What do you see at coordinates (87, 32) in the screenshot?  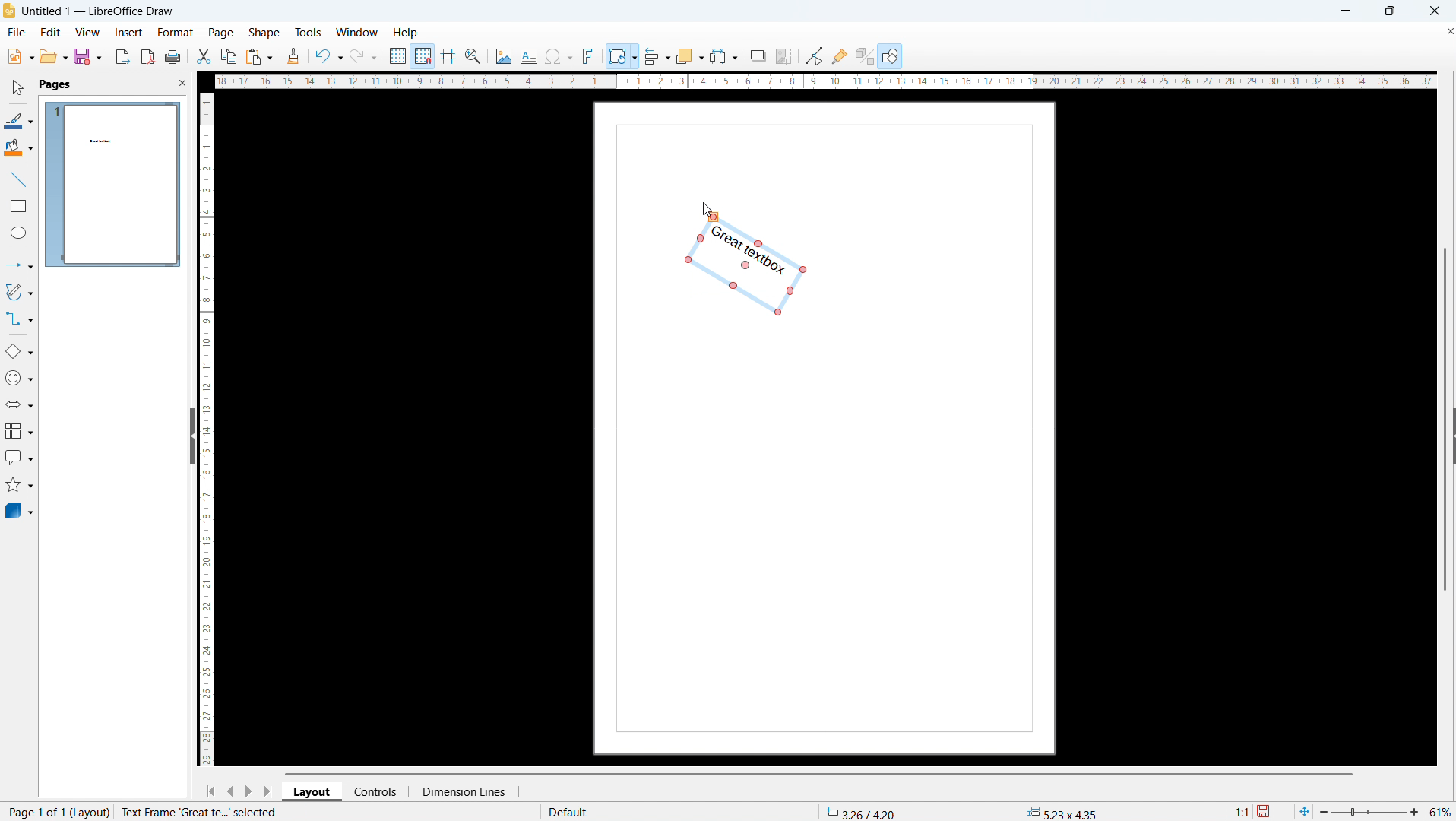 I see `view` at bounding box center [87, 32].